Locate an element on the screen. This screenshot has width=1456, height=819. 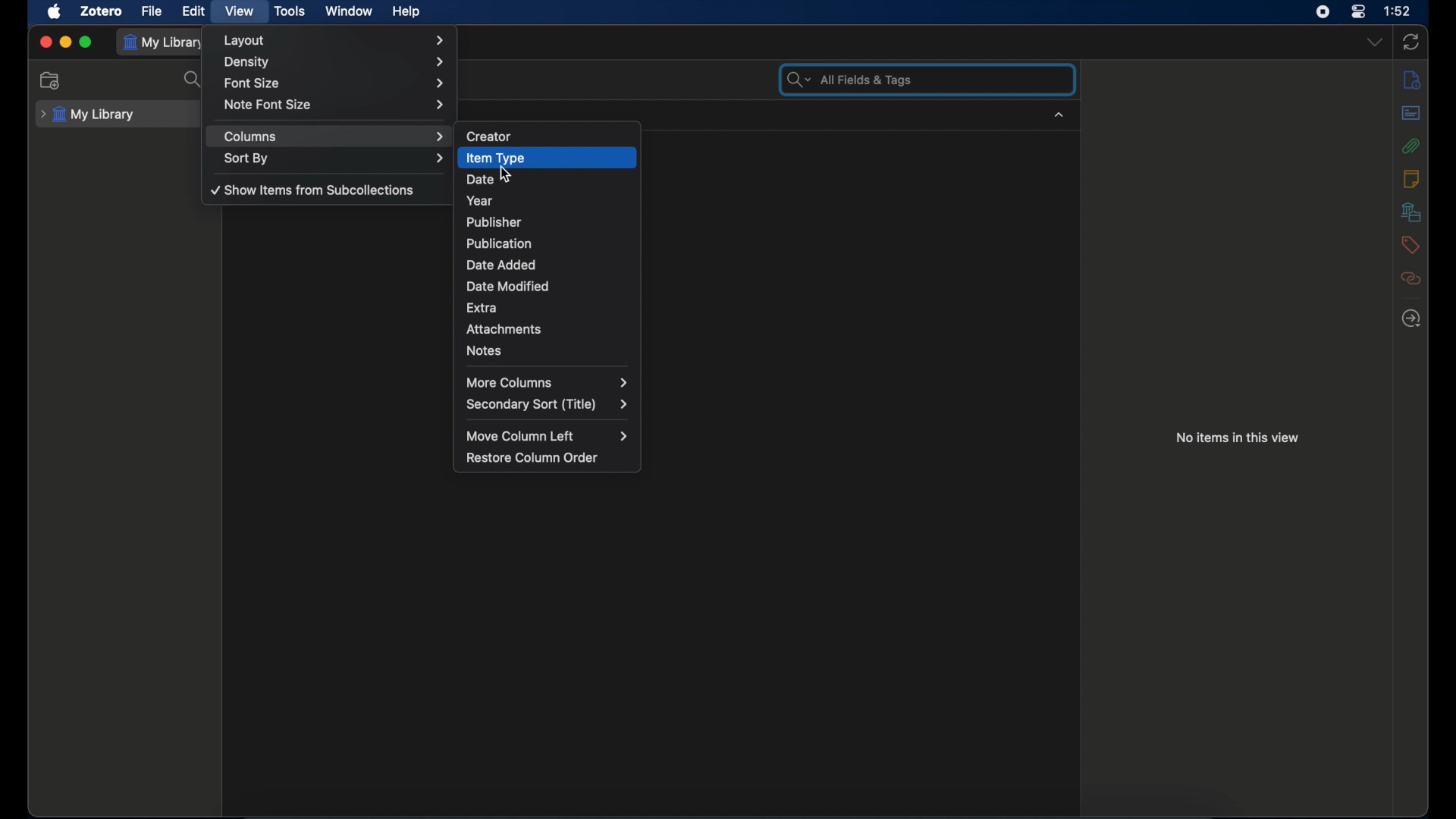
tags is located at coordinates (1409, 245).